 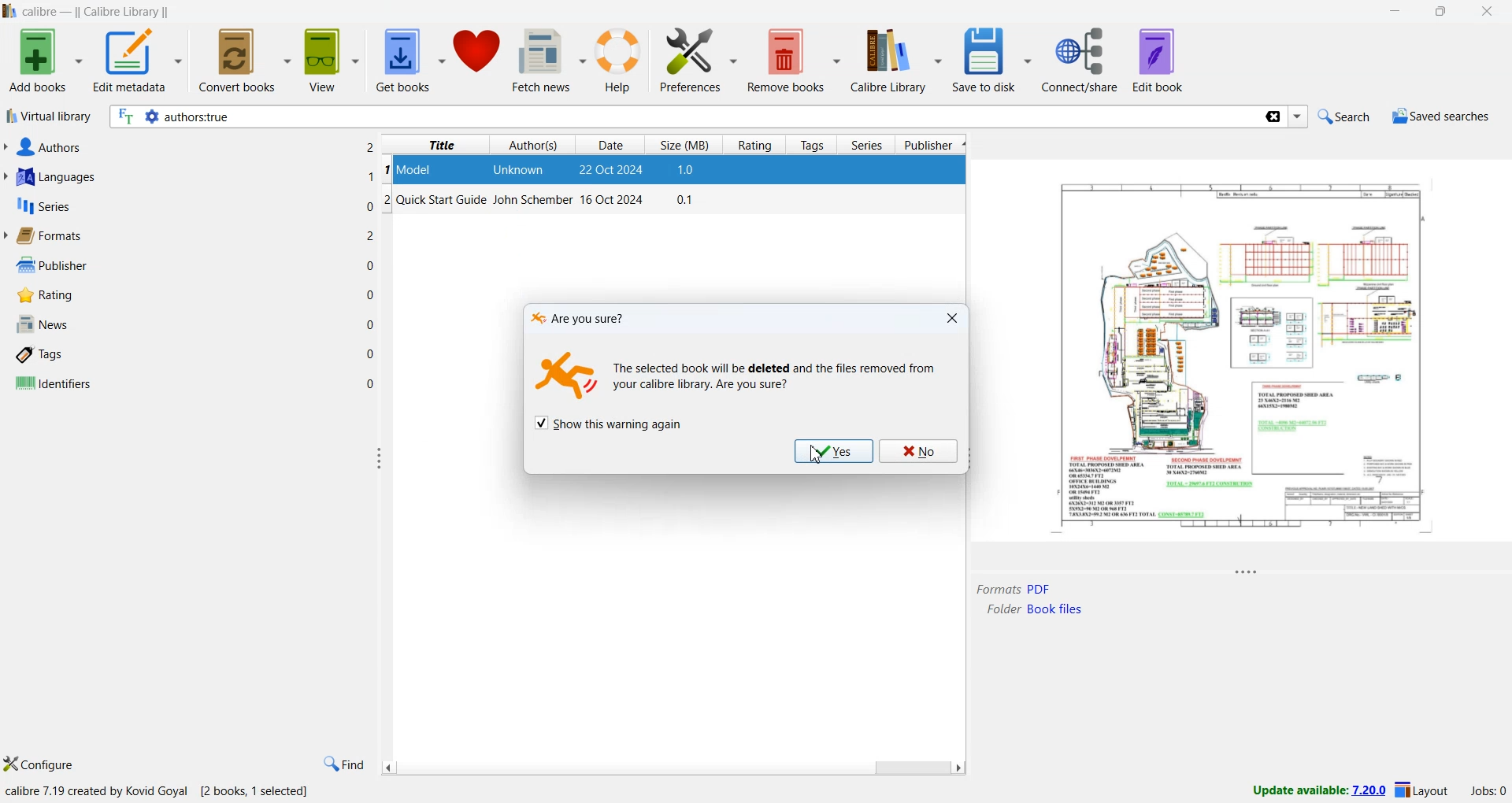 What do you see at coordinates (41, 325) in the screenshot?
I see `news` at bounding box center [41, 325].